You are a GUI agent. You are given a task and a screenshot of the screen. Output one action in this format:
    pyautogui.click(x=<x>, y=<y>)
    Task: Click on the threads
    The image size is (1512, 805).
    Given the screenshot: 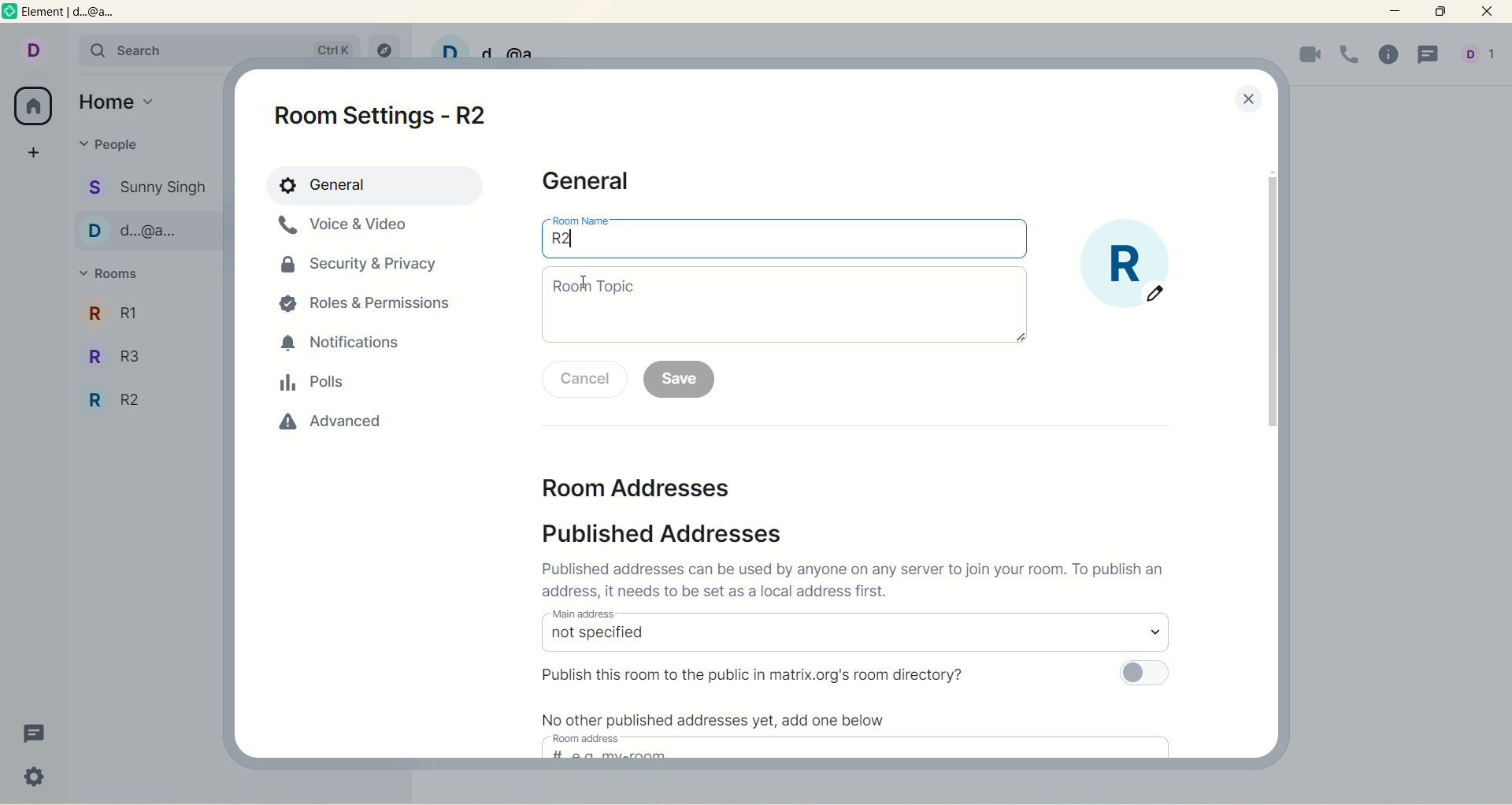 What is the action you would take?
    pyautogui.click(x=35, y=735)
    